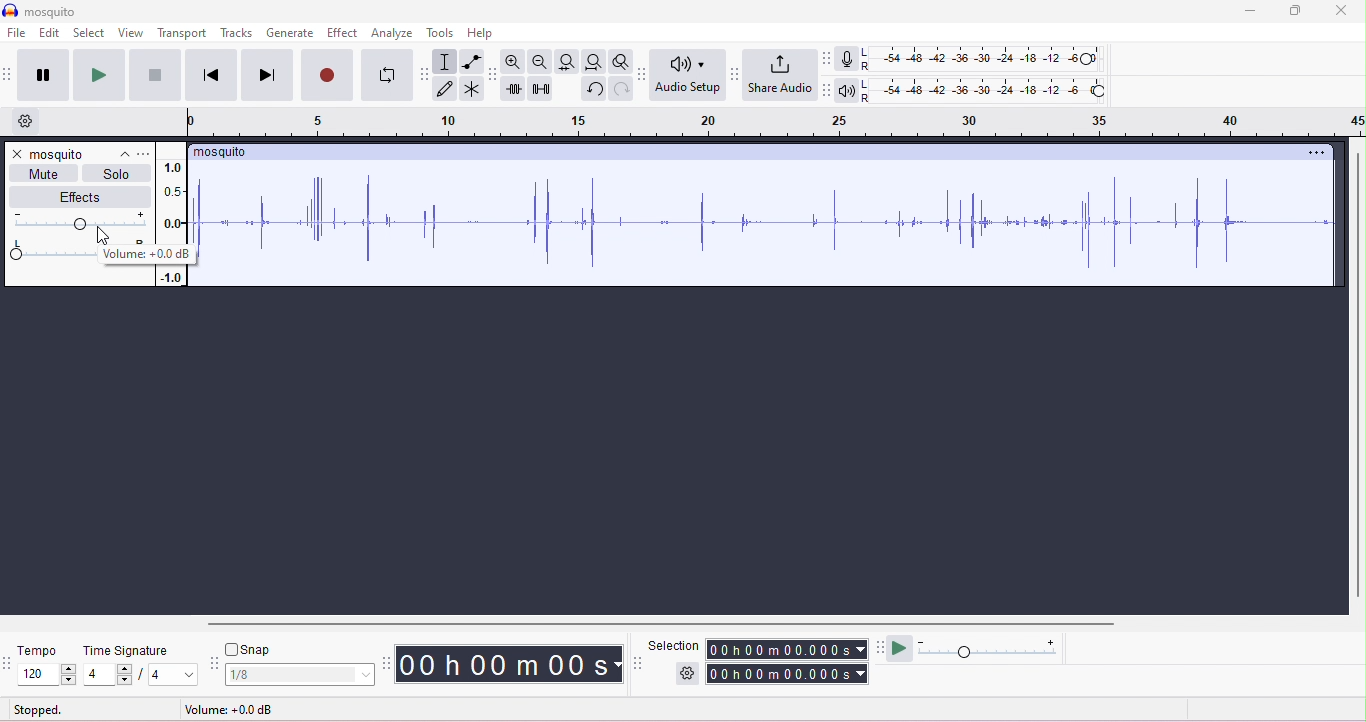  What do you see at coordinates (510, 664) in the screenshot?
I see `time` at bounding box center [510, 664].